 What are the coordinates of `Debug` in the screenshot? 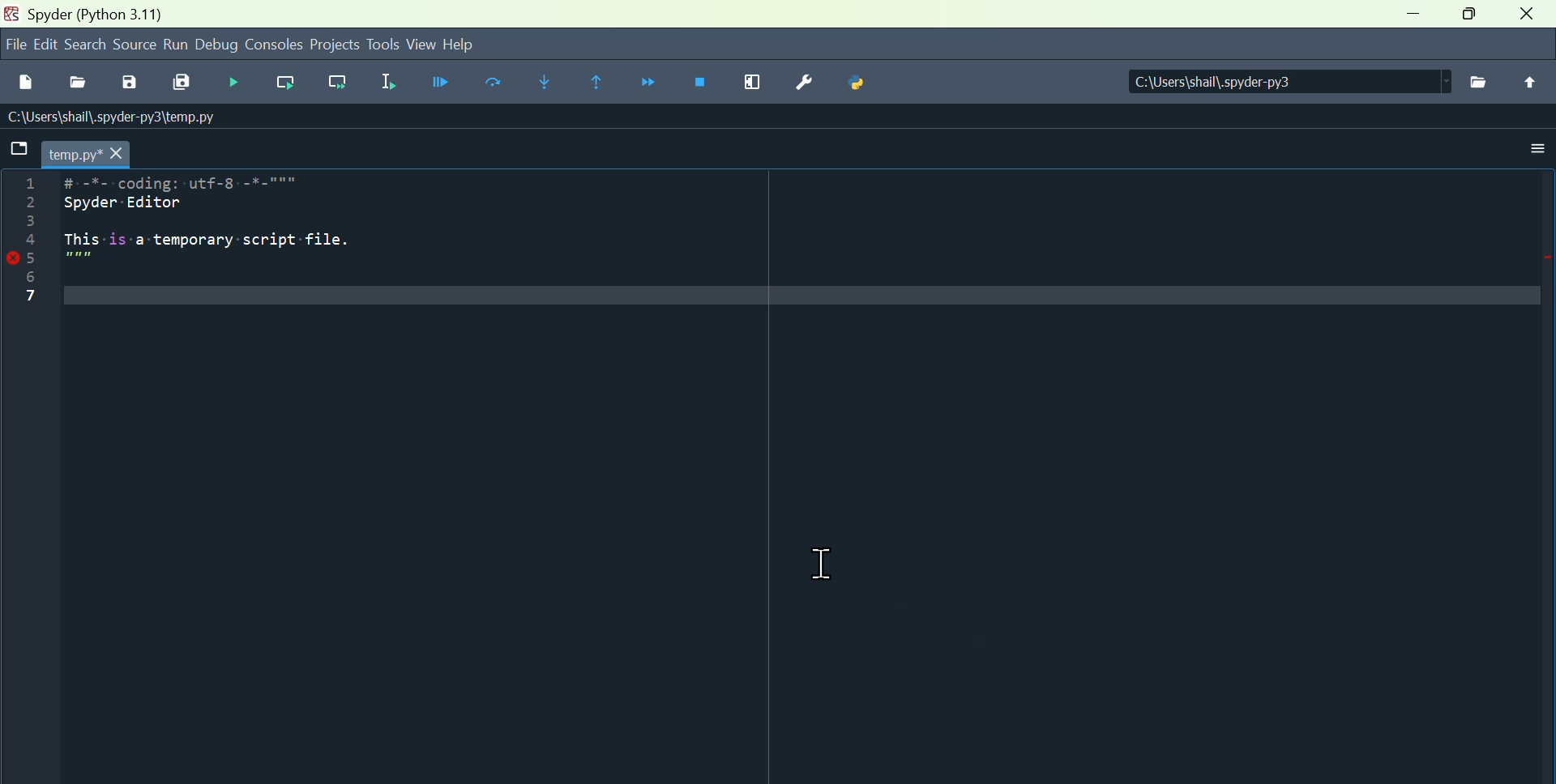 It's located at (217, 44).